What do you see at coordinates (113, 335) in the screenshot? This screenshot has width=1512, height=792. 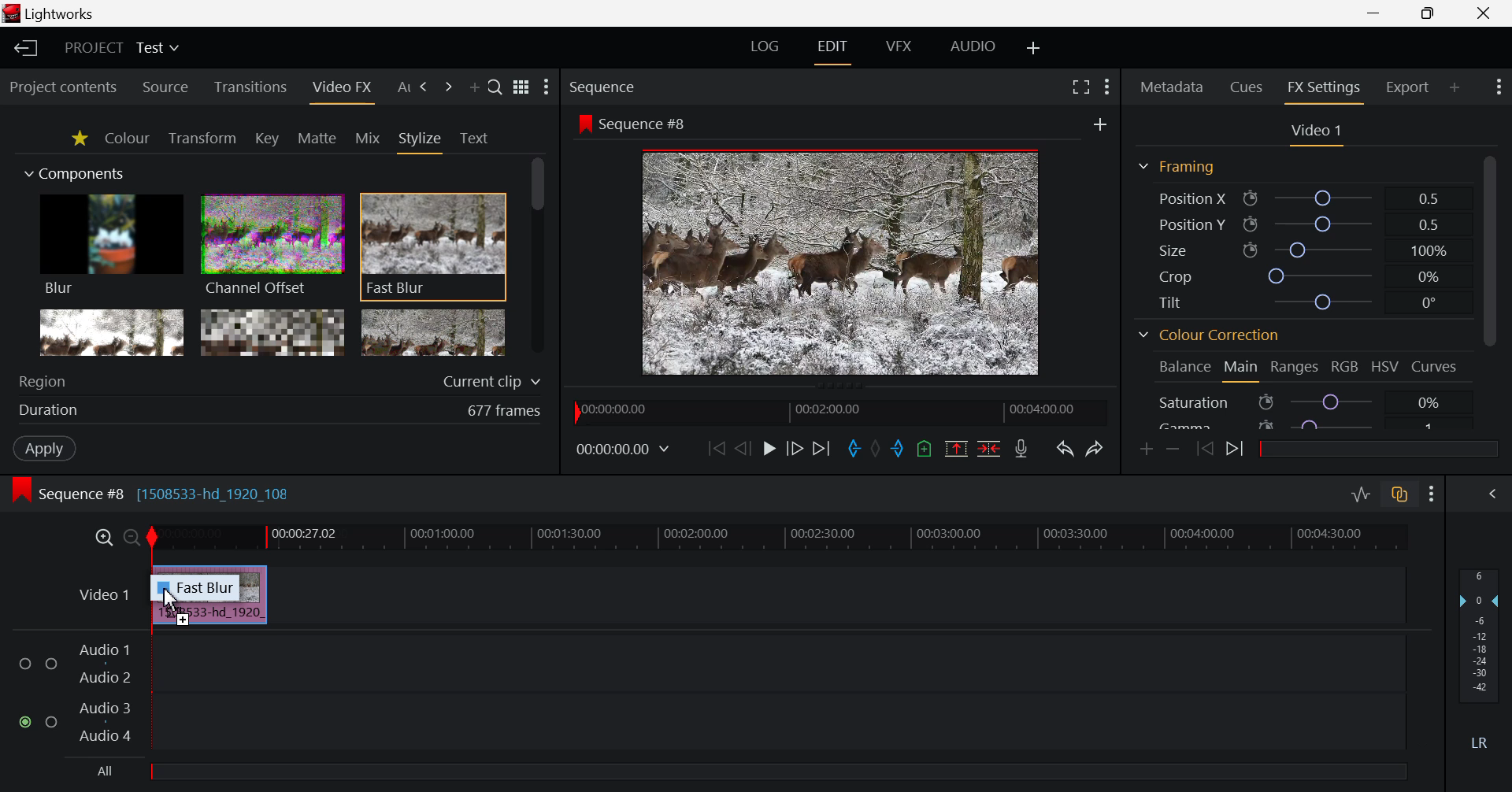 I see `Glow` at bounding box center [113, 335].